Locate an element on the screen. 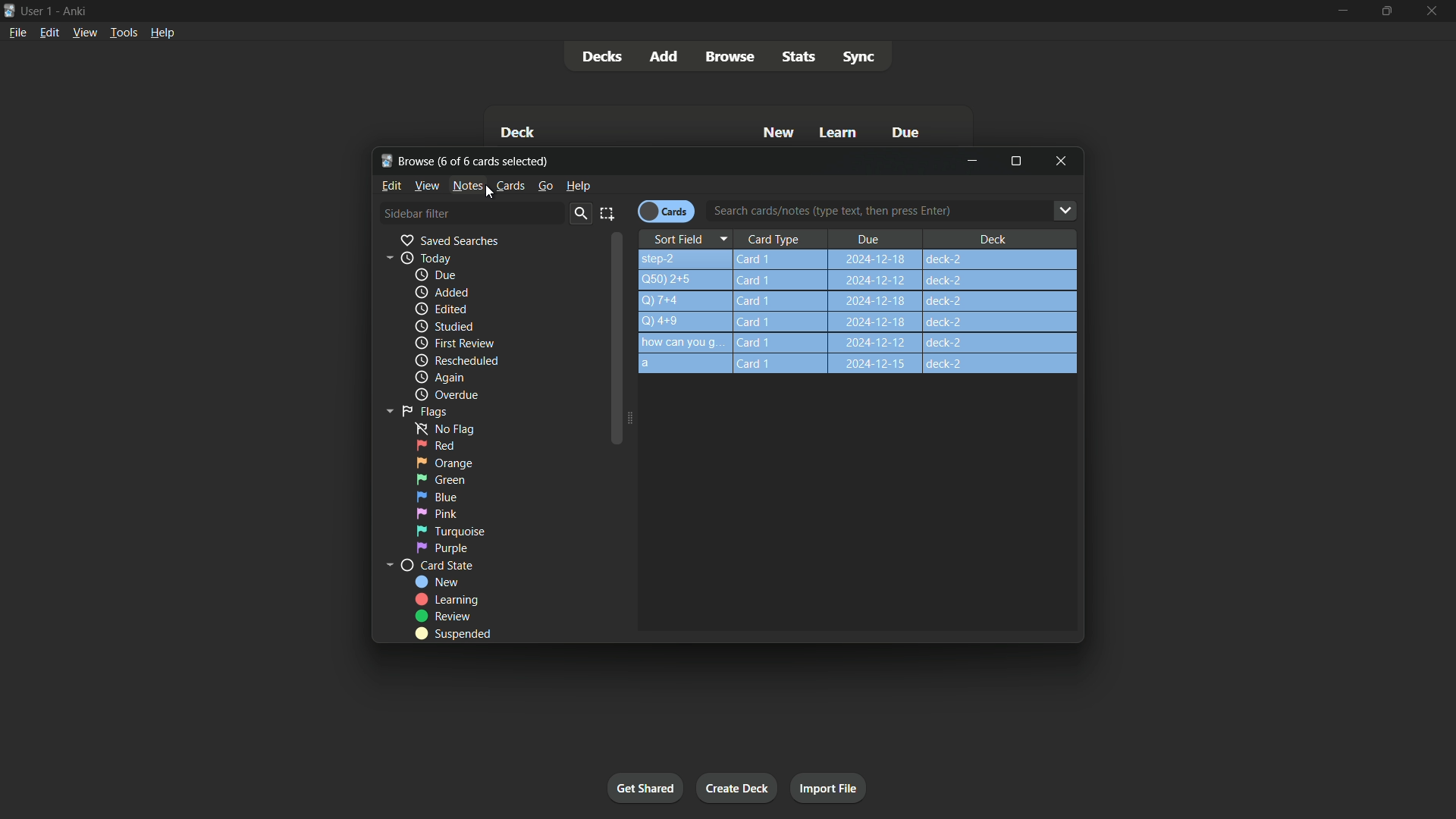  Studied is located at coordinates (444, 327).